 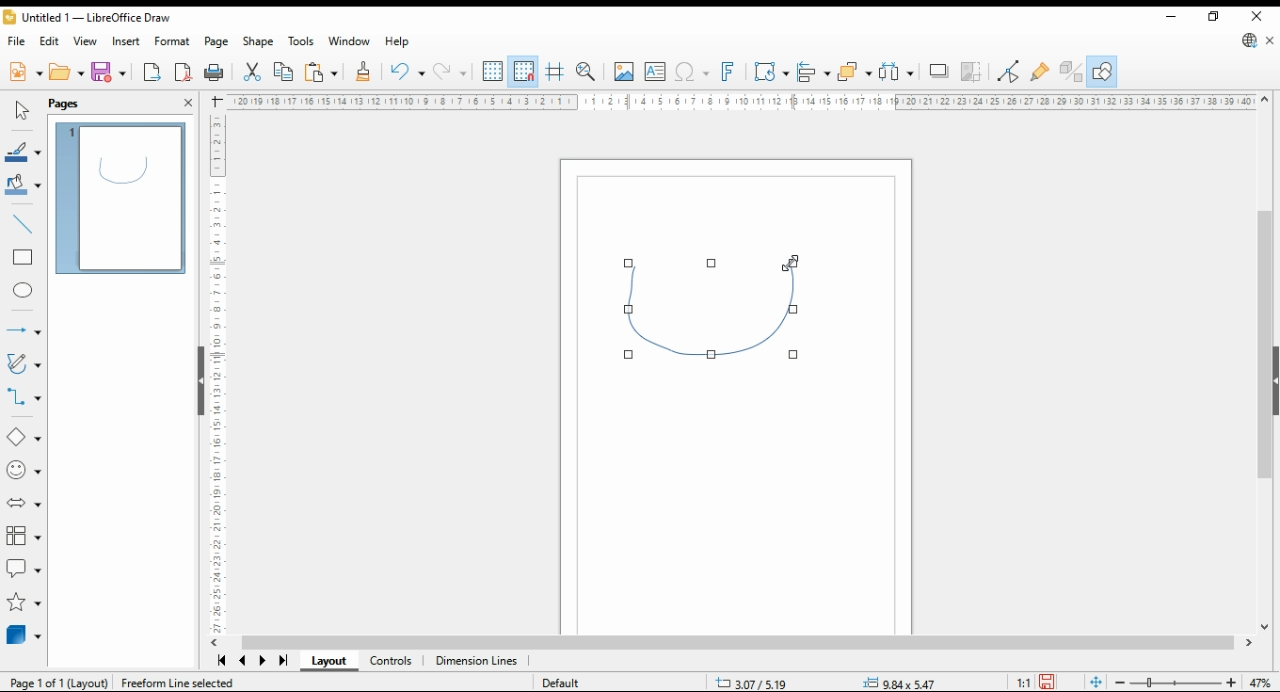 What do you see at coordinates (690, 73) in the screenshot?
I see `insert special character` at bounding box center [690, 73].